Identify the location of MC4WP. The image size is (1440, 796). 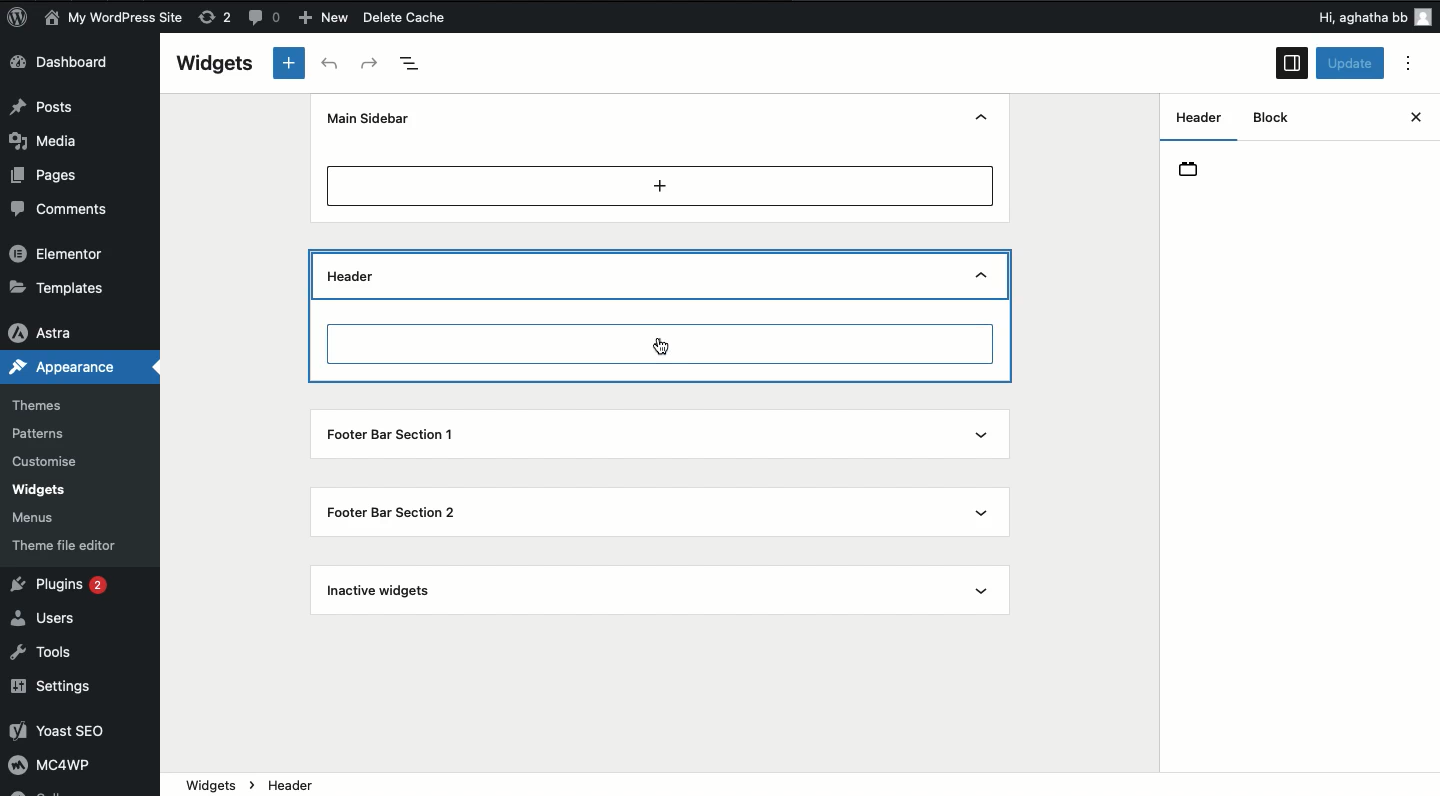
(59, 768).